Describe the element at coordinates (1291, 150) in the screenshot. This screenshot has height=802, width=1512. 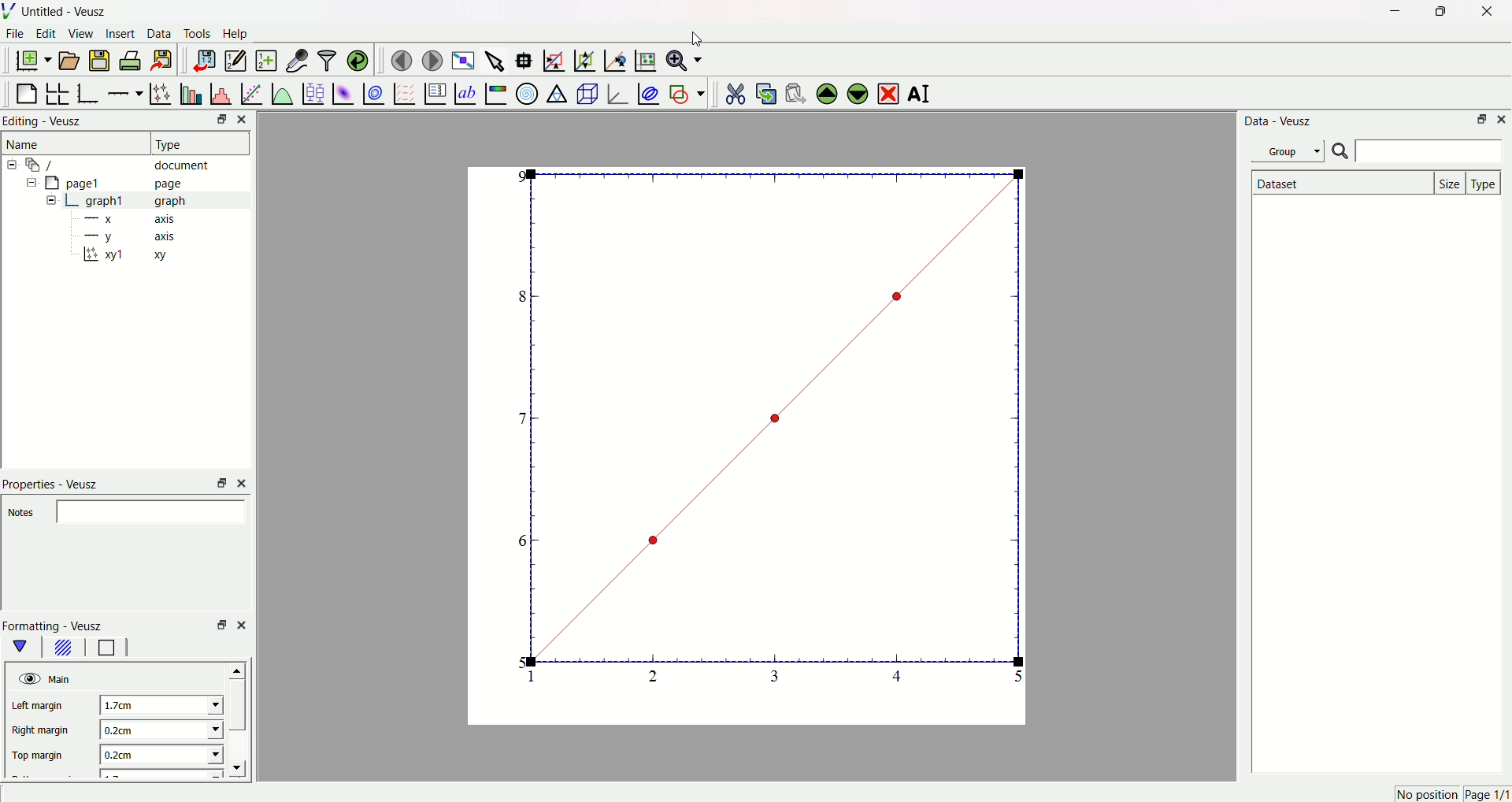
I see `Group` at that location.